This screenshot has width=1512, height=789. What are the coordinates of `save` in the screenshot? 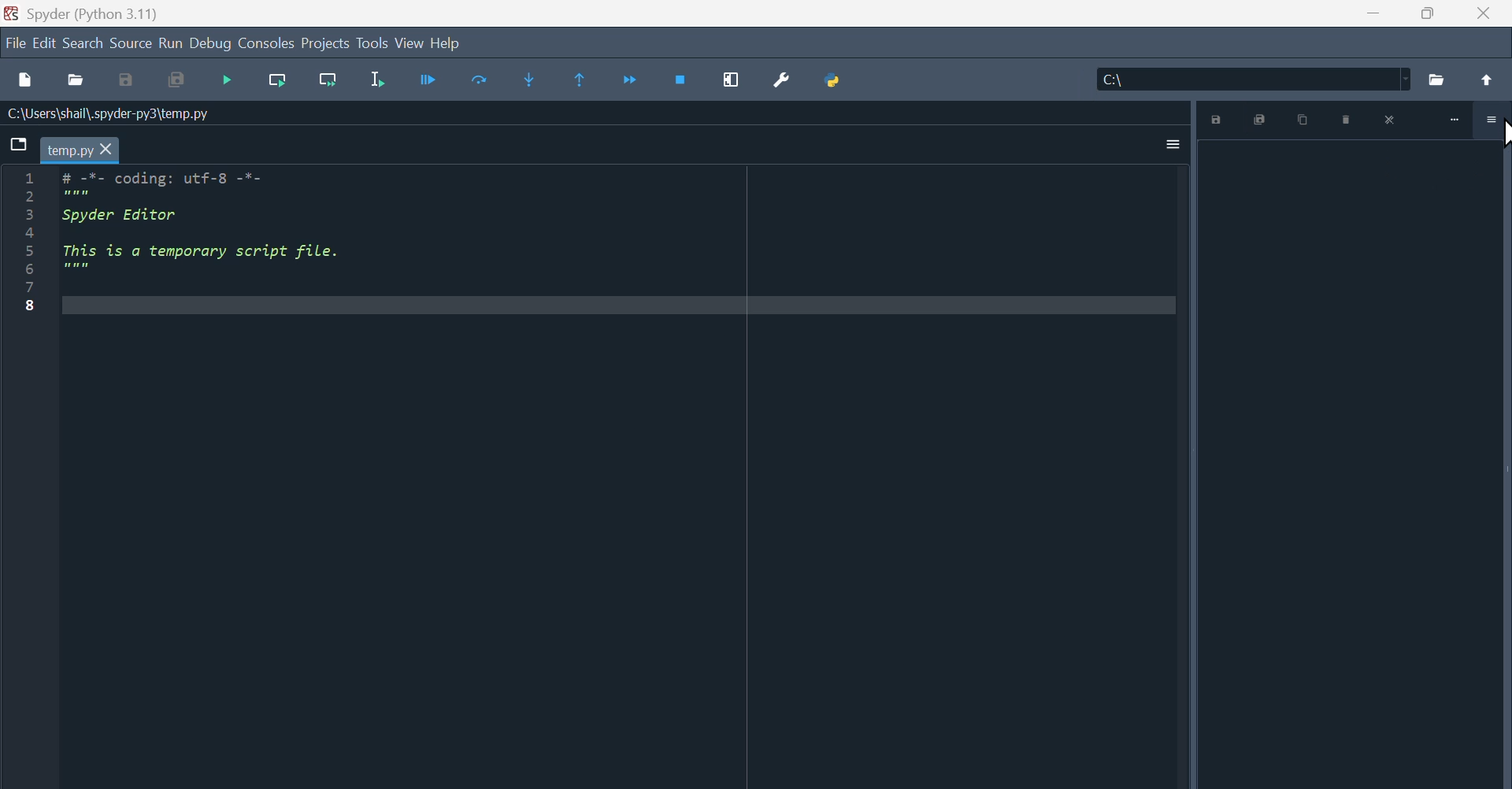 It's located at (123, 80).